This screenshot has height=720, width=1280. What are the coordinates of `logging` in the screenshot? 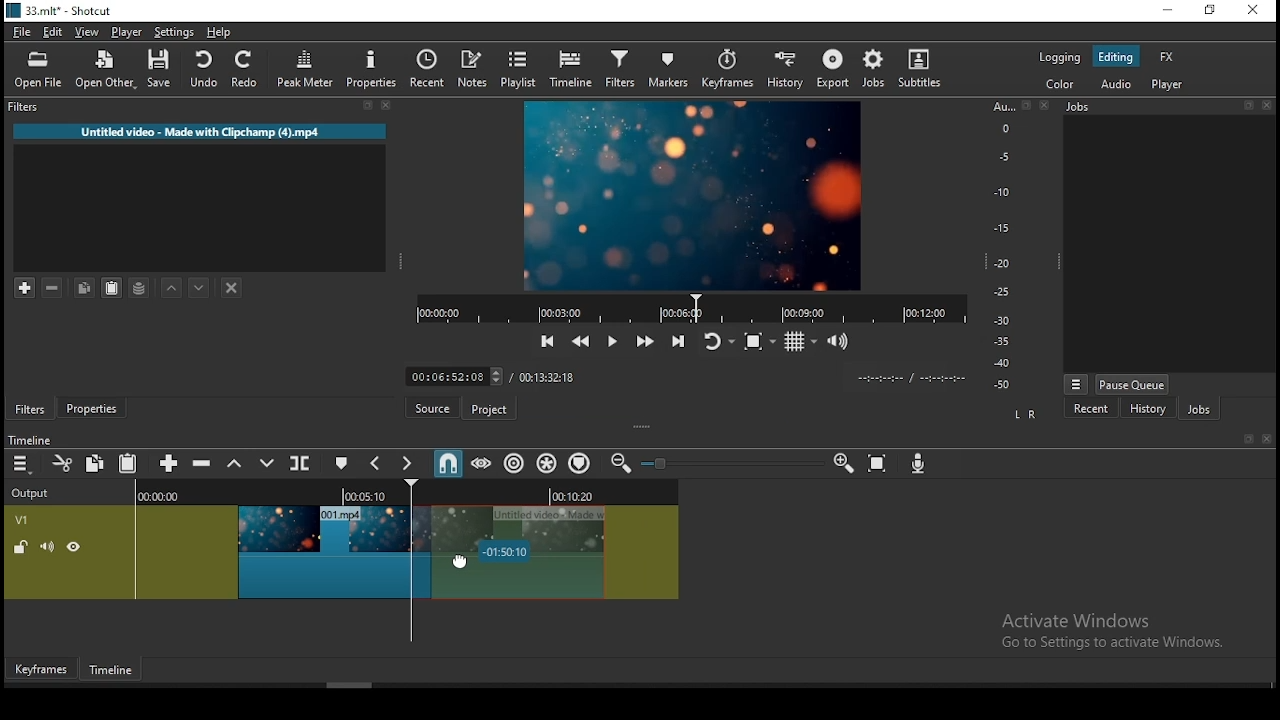 It's located at (1055, 56).